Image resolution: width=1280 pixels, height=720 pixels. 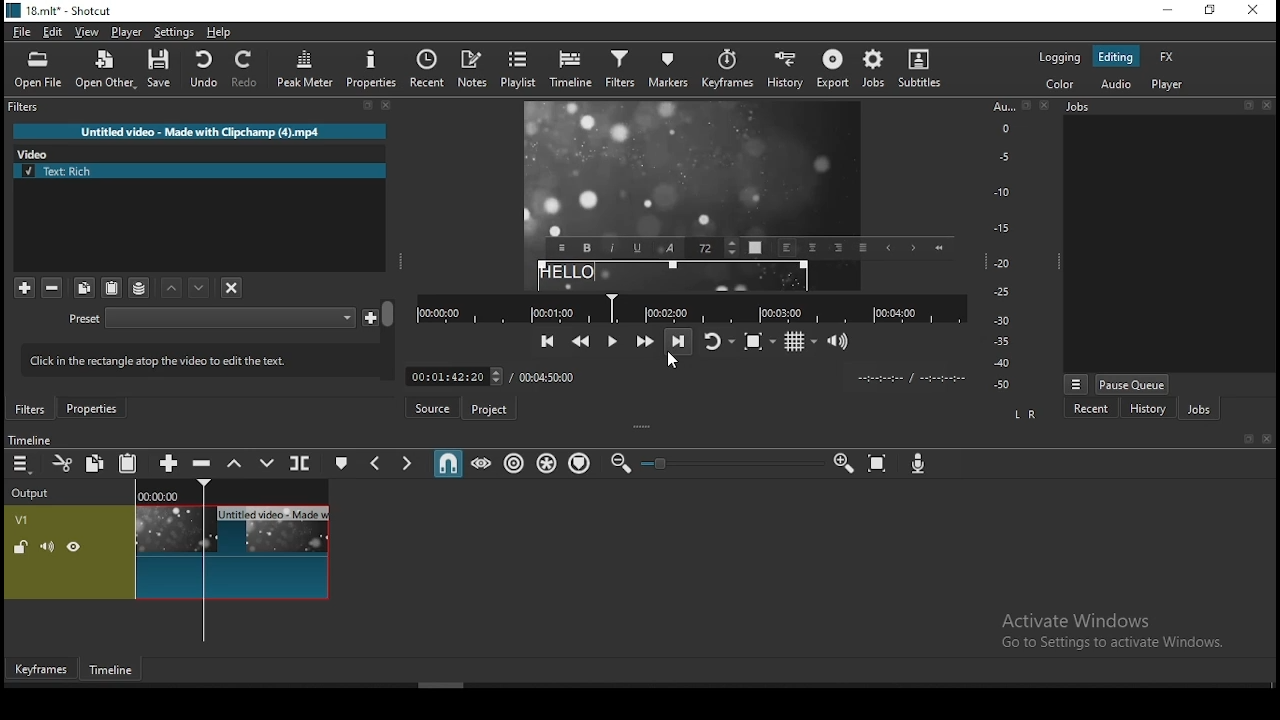 I want to click on zoom timeline out, so click(x=620, y=463).